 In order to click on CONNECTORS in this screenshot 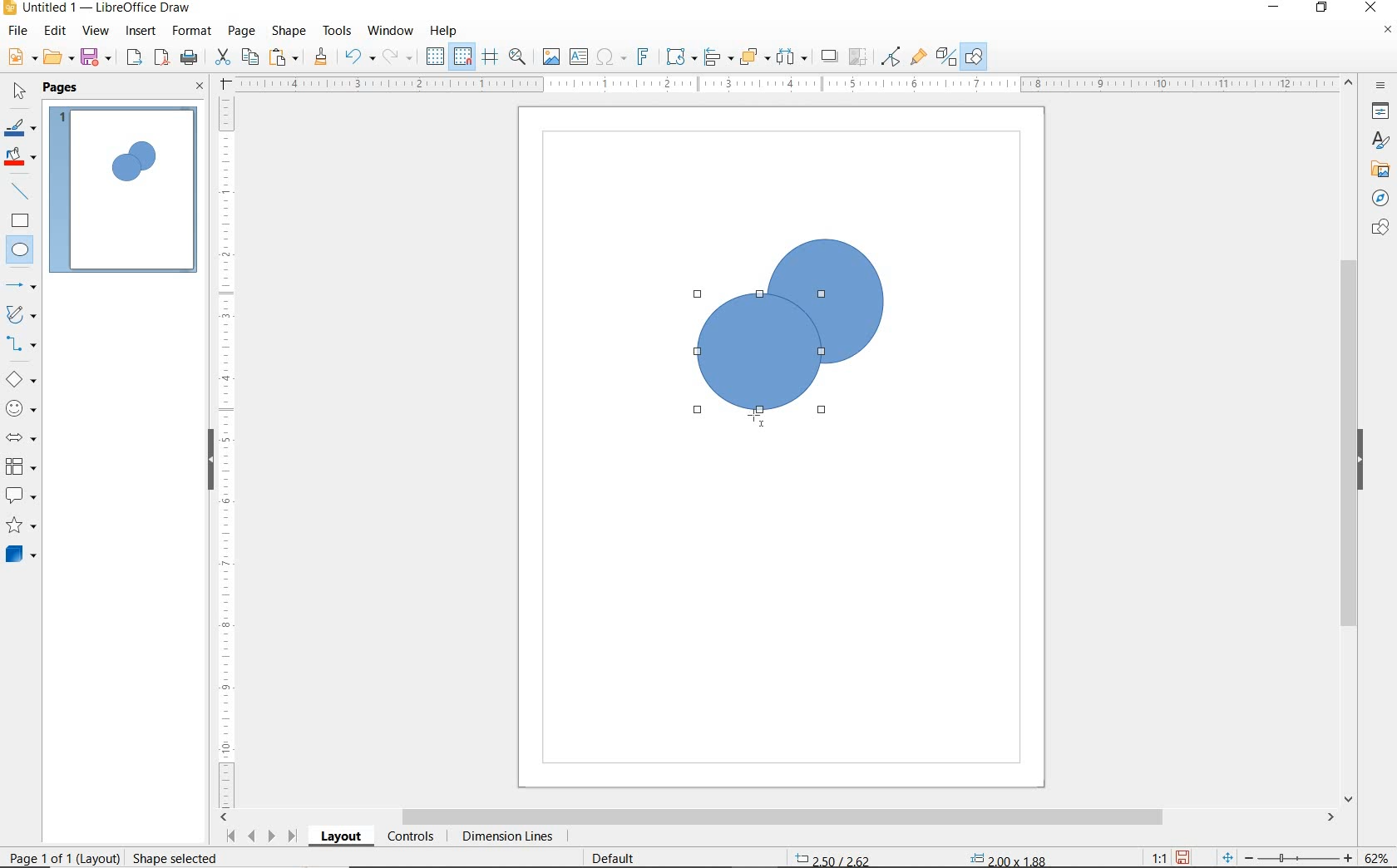, I will do `click(22, 344)`.